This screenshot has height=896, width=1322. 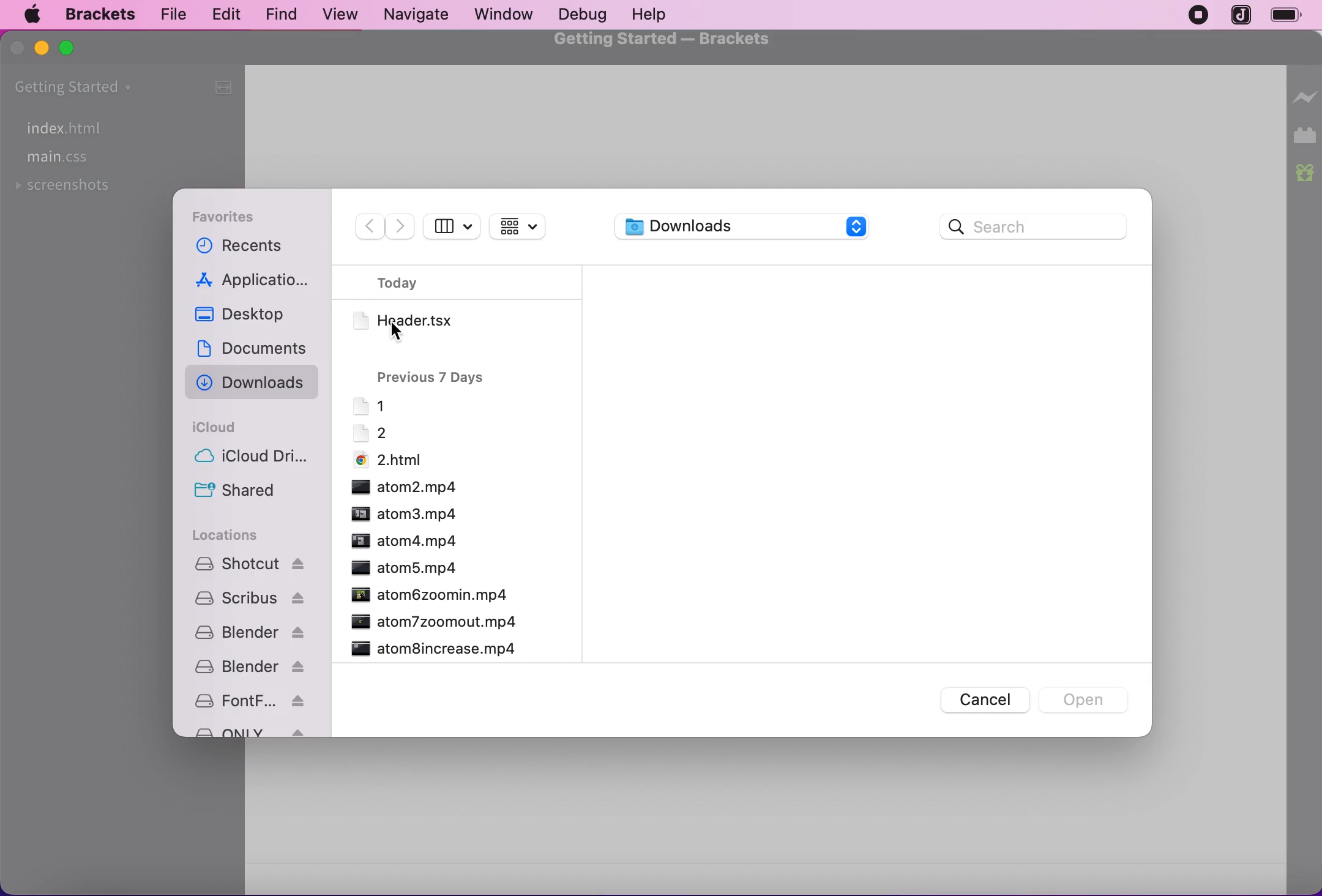 What do you see at coordinates (403, 514) in the screenshot?
I see `atom3.mp4` at bounding box center [403, 514].